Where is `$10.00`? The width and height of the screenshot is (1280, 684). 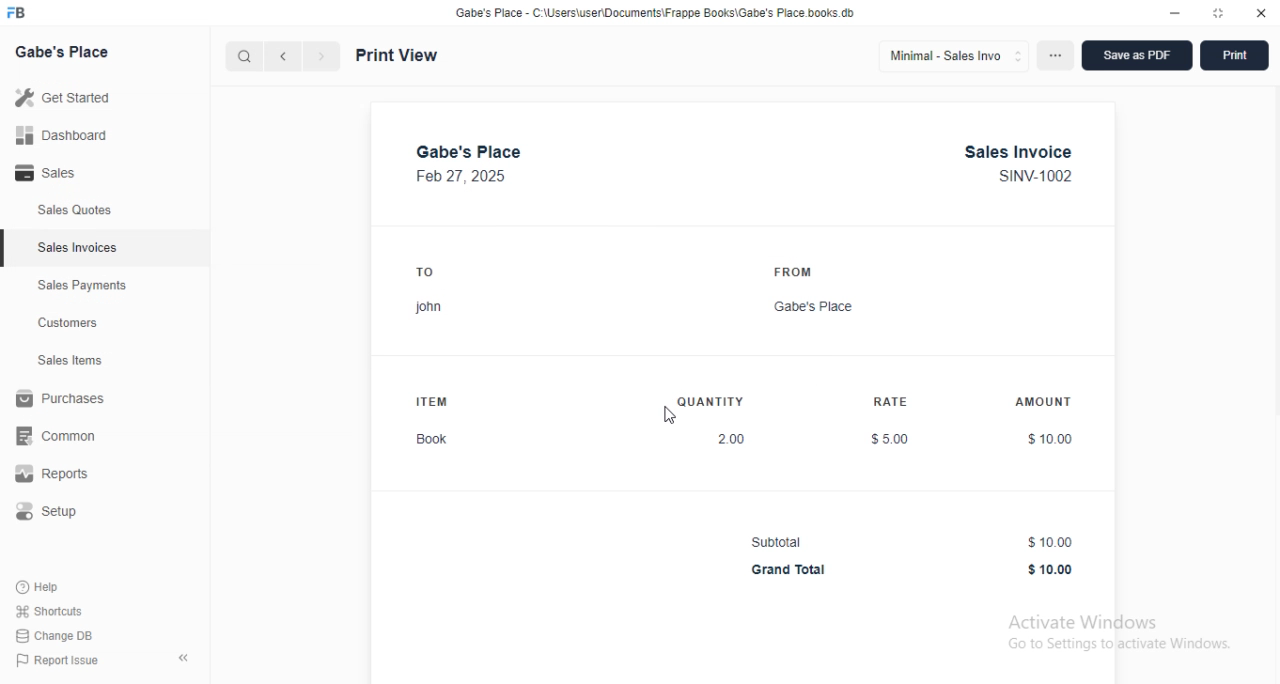 $10.00 is located at coordinates (1050, 440).